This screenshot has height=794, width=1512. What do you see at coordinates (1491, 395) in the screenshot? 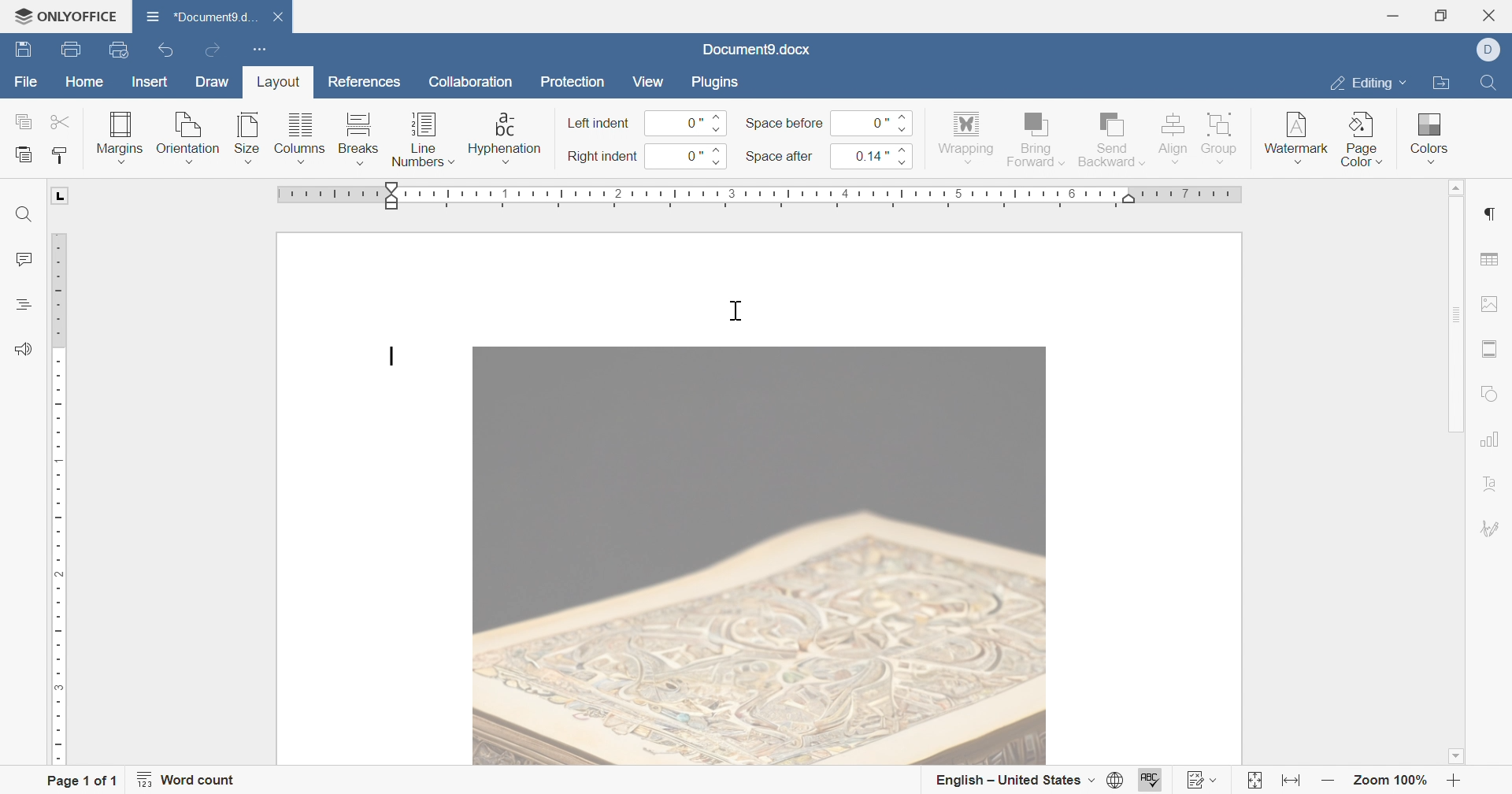
I see `shape settings` at bounding box center [1491, 395].